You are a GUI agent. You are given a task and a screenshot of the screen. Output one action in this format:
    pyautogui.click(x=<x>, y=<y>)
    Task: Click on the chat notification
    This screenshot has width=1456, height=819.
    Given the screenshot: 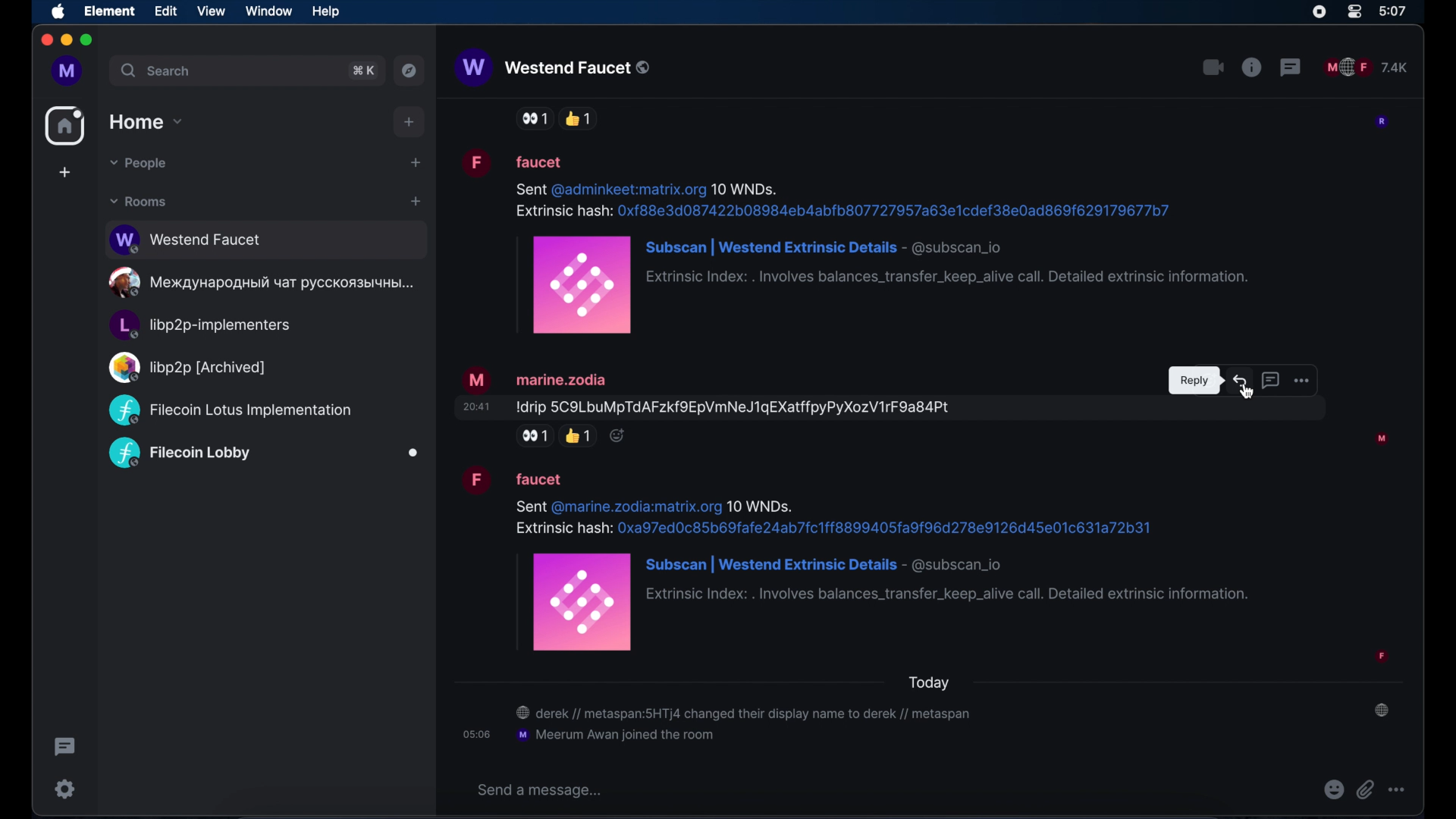 What is the action you would take?
    pyautogui.click(x=720, y=726)
    